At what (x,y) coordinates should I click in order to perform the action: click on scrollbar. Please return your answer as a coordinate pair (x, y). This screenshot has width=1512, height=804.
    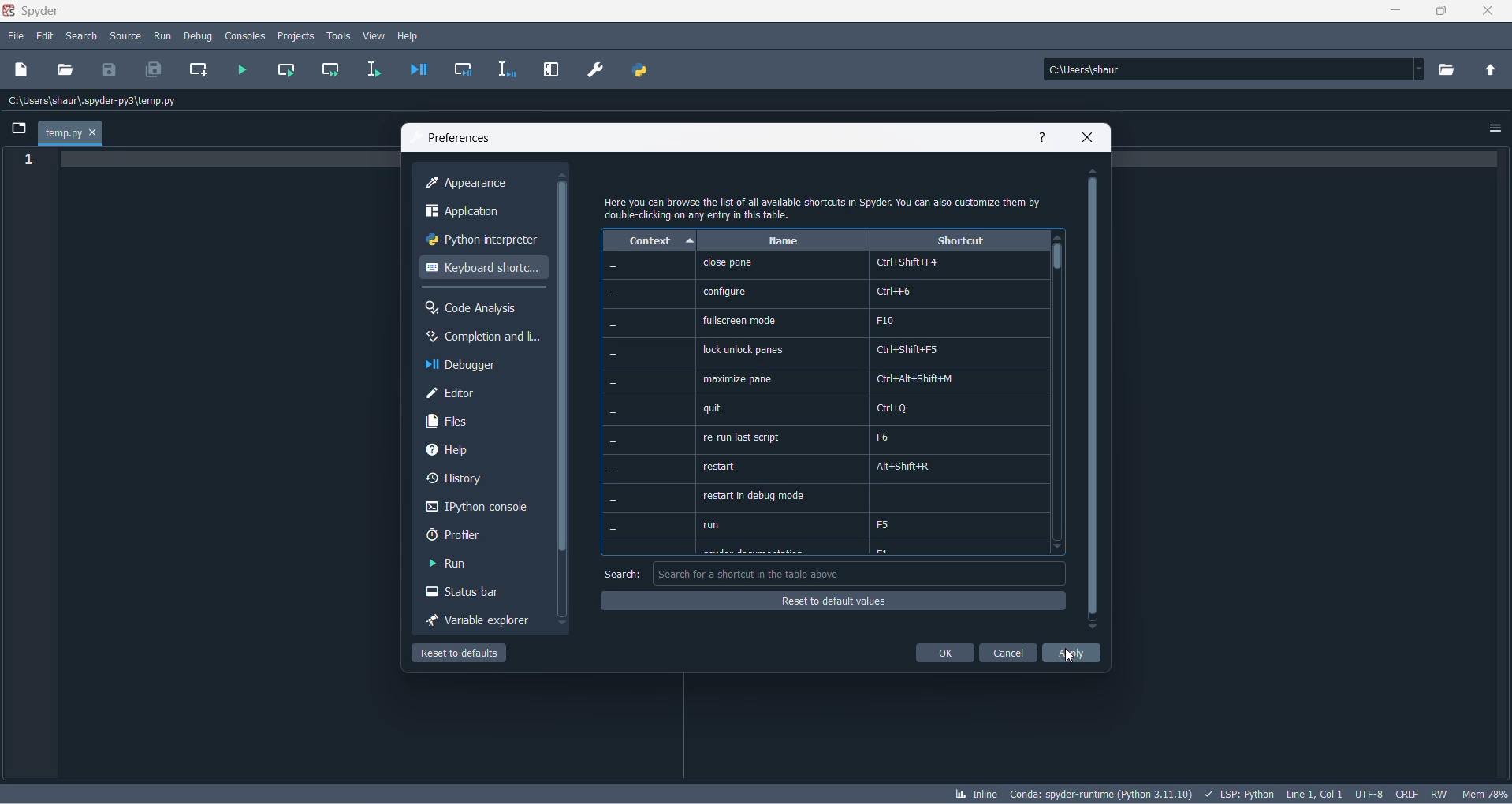
    Looking at the image, I should click on (566, 367).